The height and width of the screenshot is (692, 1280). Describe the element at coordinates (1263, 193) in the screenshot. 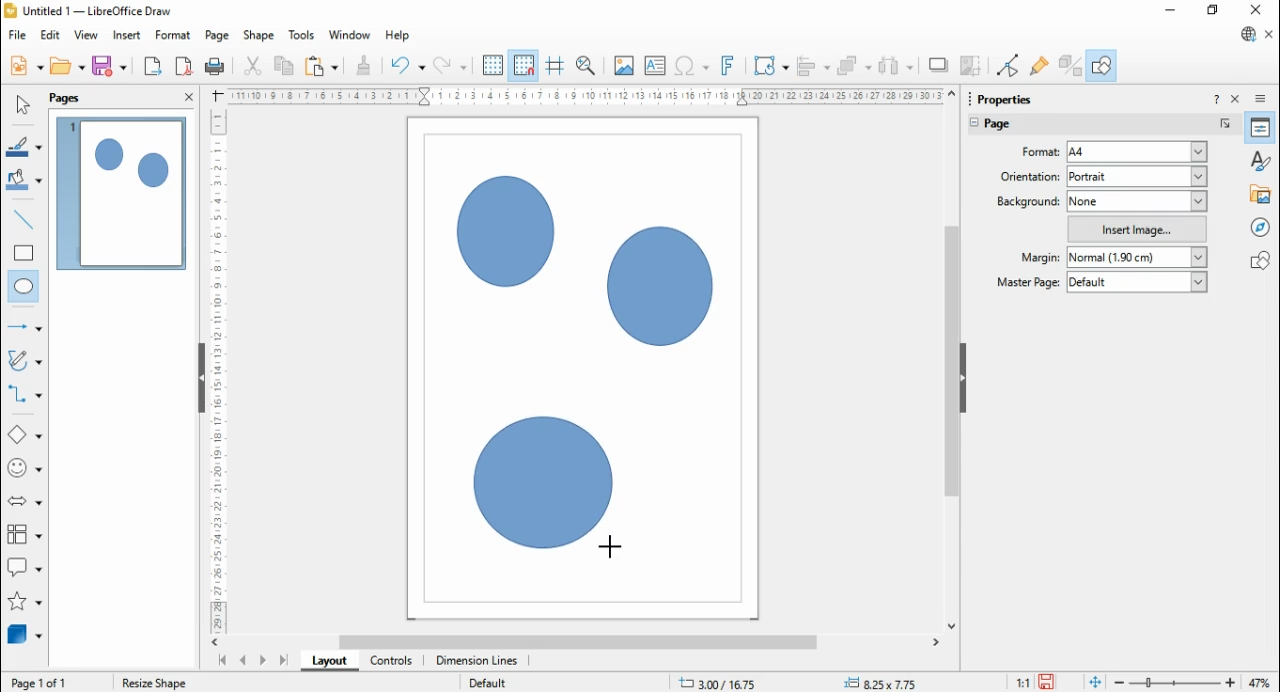

I see `gallery` at that location.